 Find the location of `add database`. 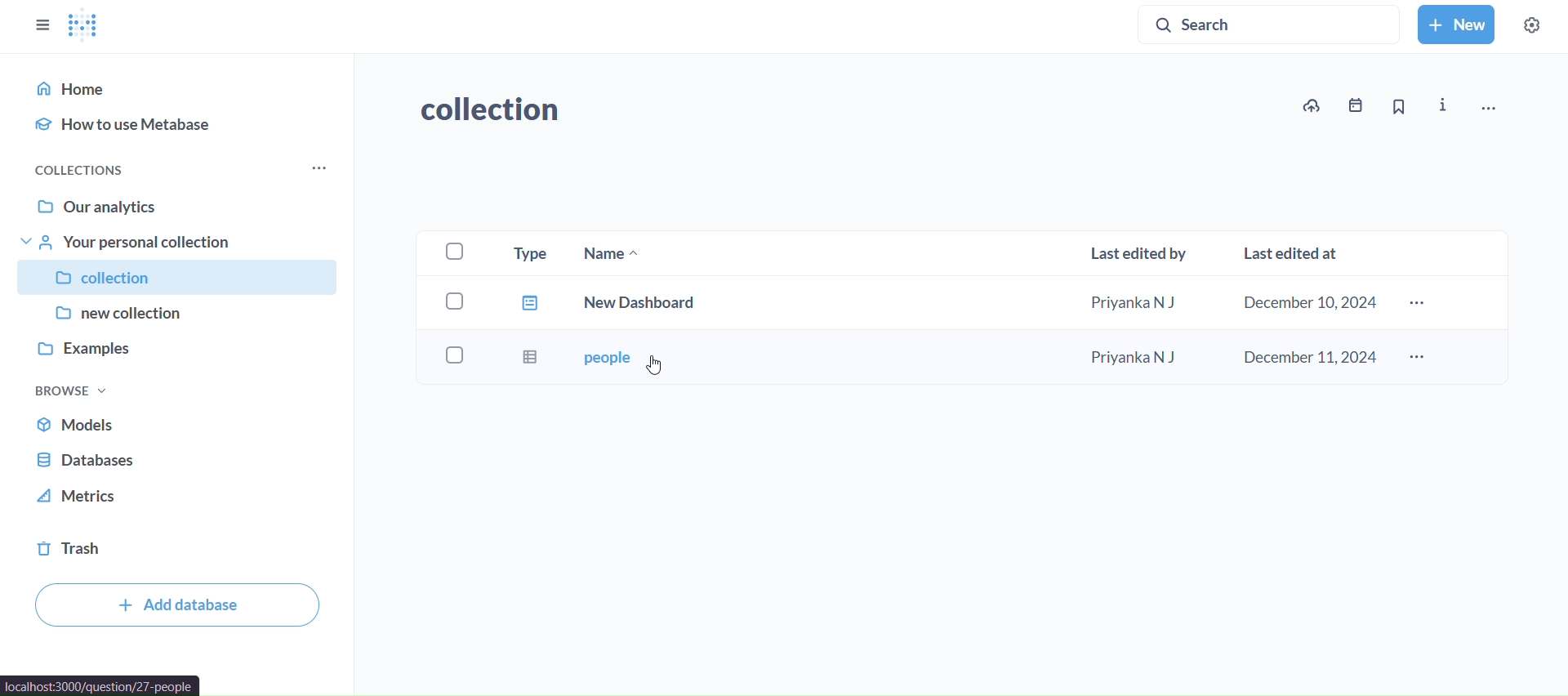

add database is located at coordinates (178, 605).